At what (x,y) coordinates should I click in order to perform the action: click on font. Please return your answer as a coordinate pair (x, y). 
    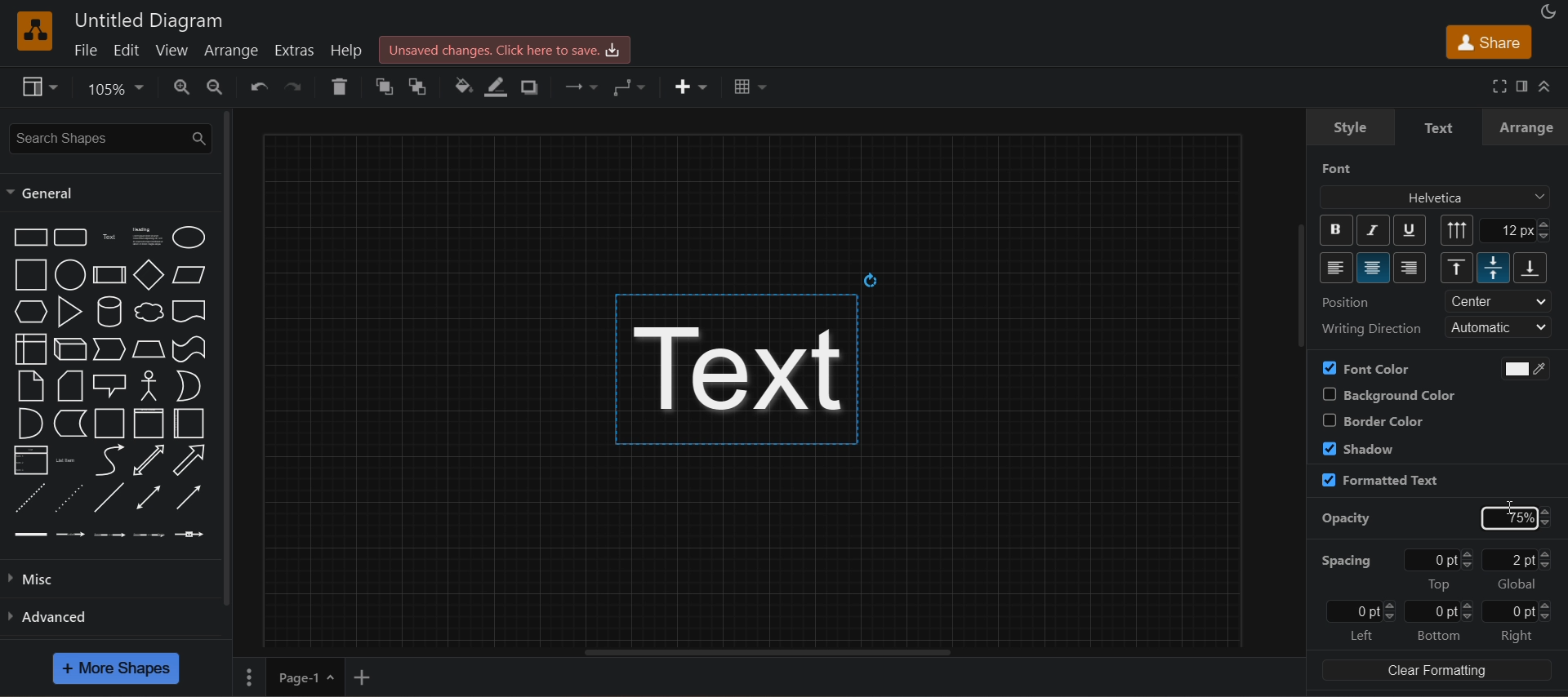
    Looking at the image, I should click on (1338, 168).